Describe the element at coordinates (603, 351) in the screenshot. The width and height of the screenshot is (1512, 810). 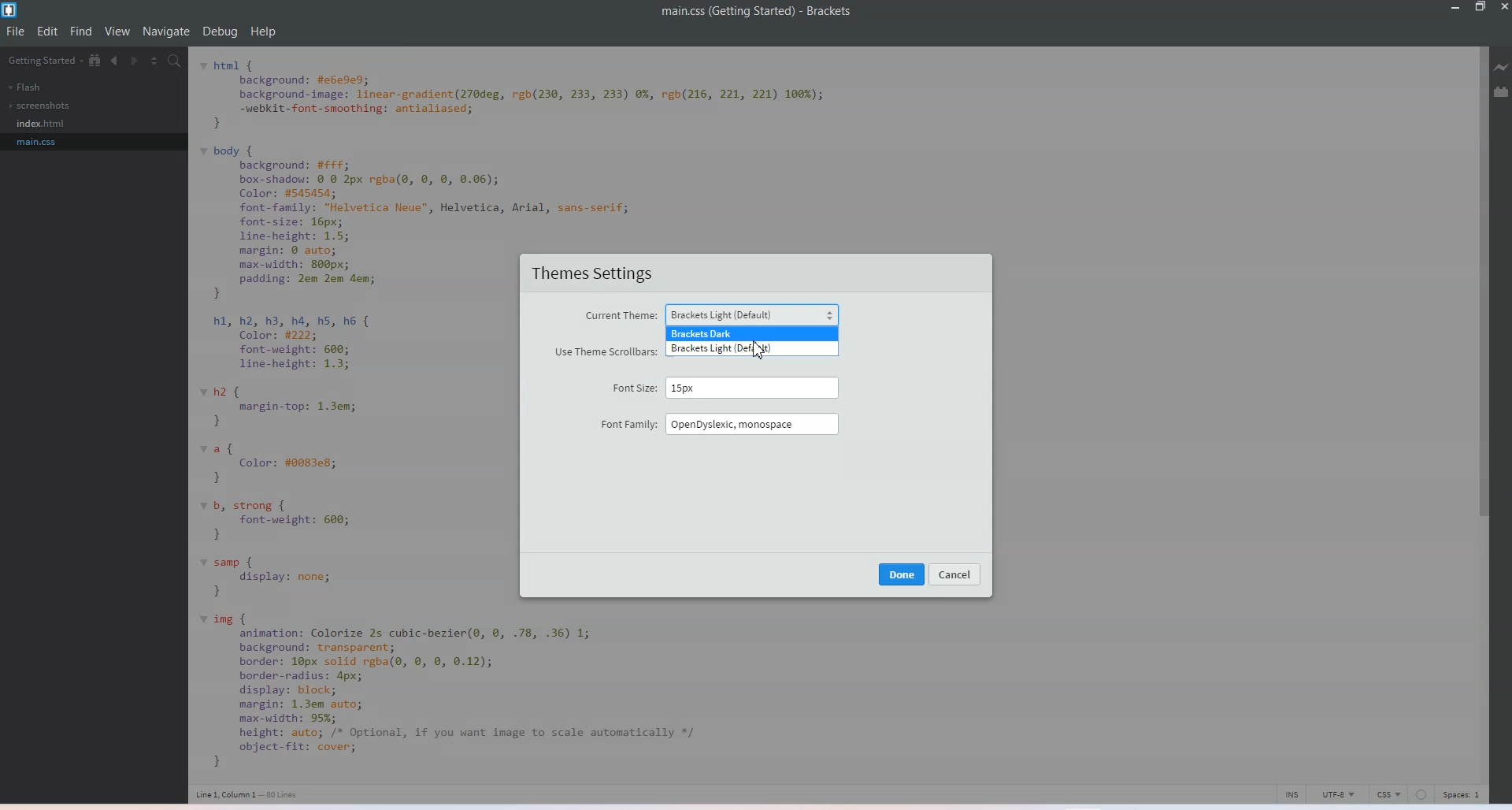
I see `Use theme scroll bars` at that location.